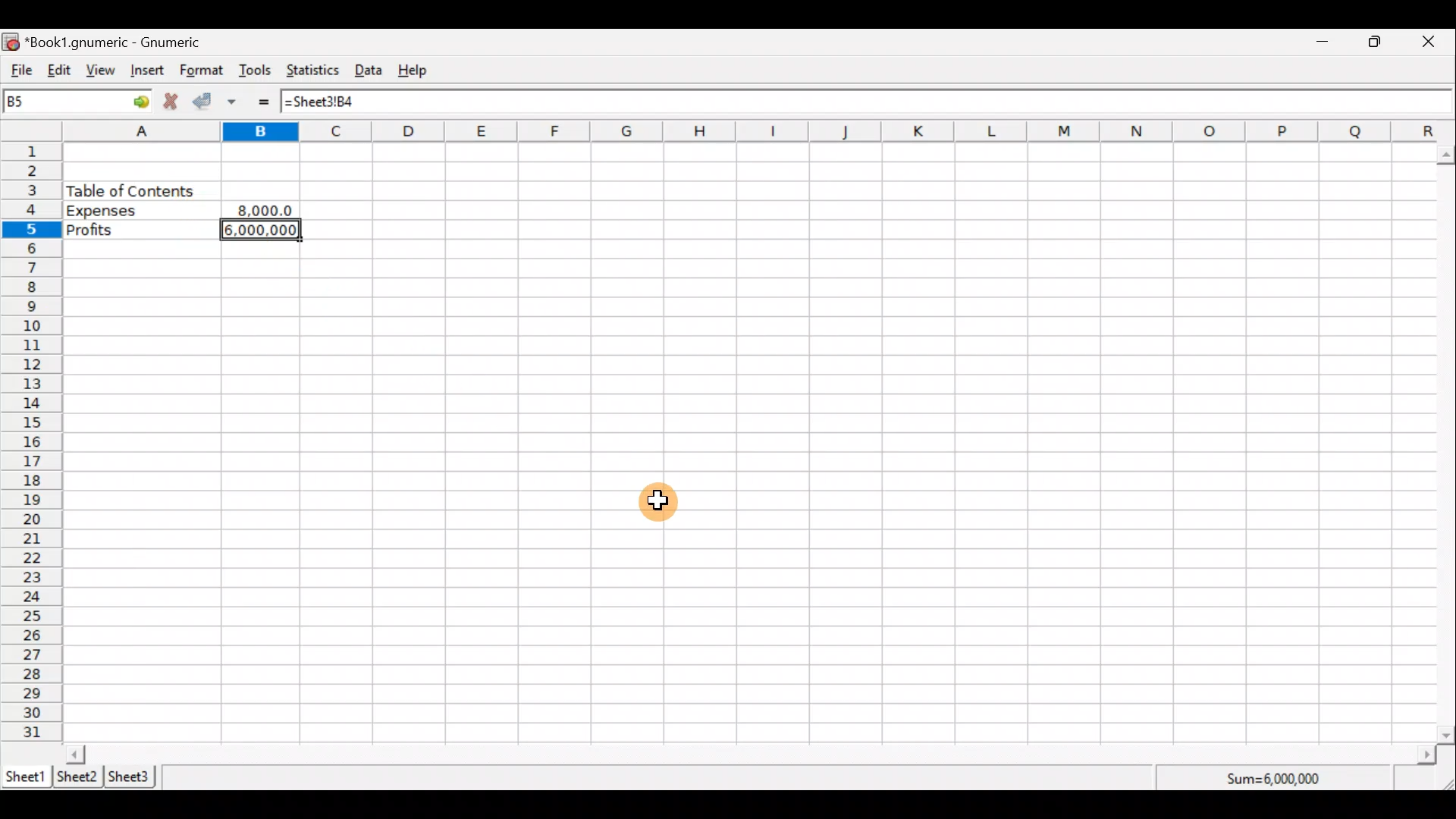  Describe the element at coordinates (140, 231) in the screenshot. I see `Profits` at that location.